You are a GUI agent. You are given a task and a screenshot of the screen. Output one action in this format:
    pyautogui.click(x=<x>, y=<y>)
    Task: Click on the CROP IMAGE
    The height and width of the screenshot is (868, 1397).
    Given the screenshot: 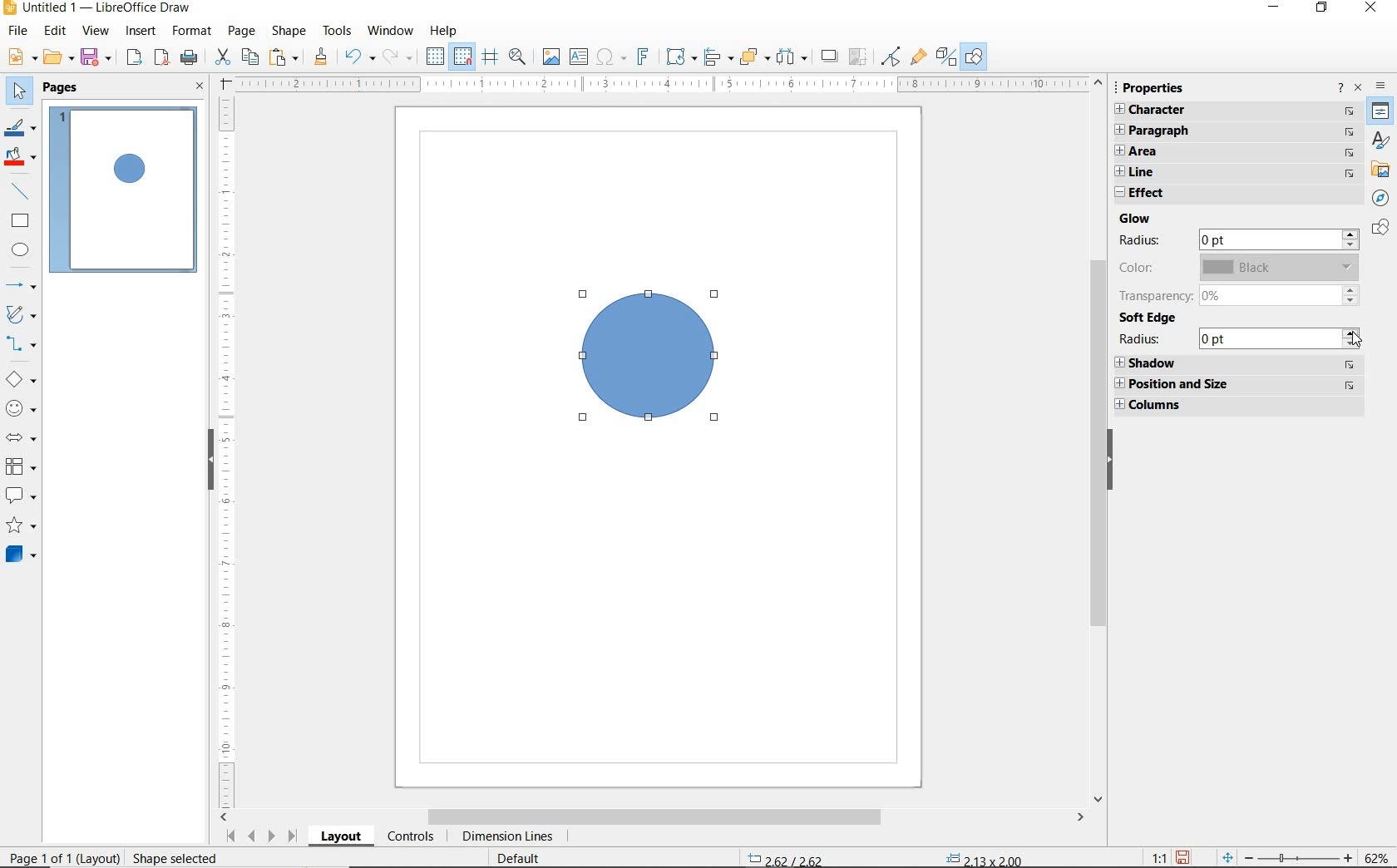 What is the action you would take?
    pyautogui.click(x=859, y=56)
    